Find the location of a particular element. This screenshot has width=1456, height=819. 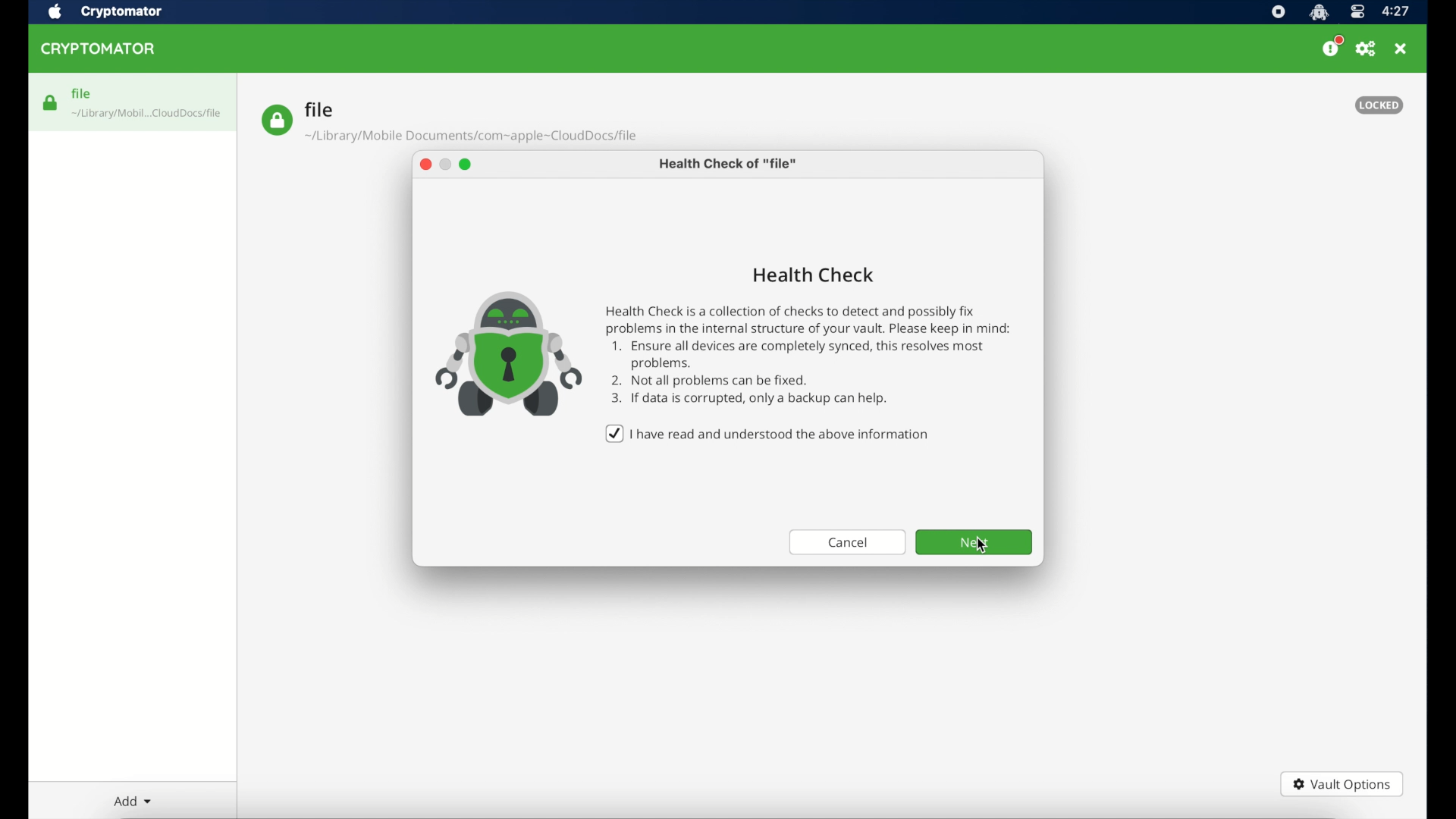

minimize is located at coordinates (447, 166).